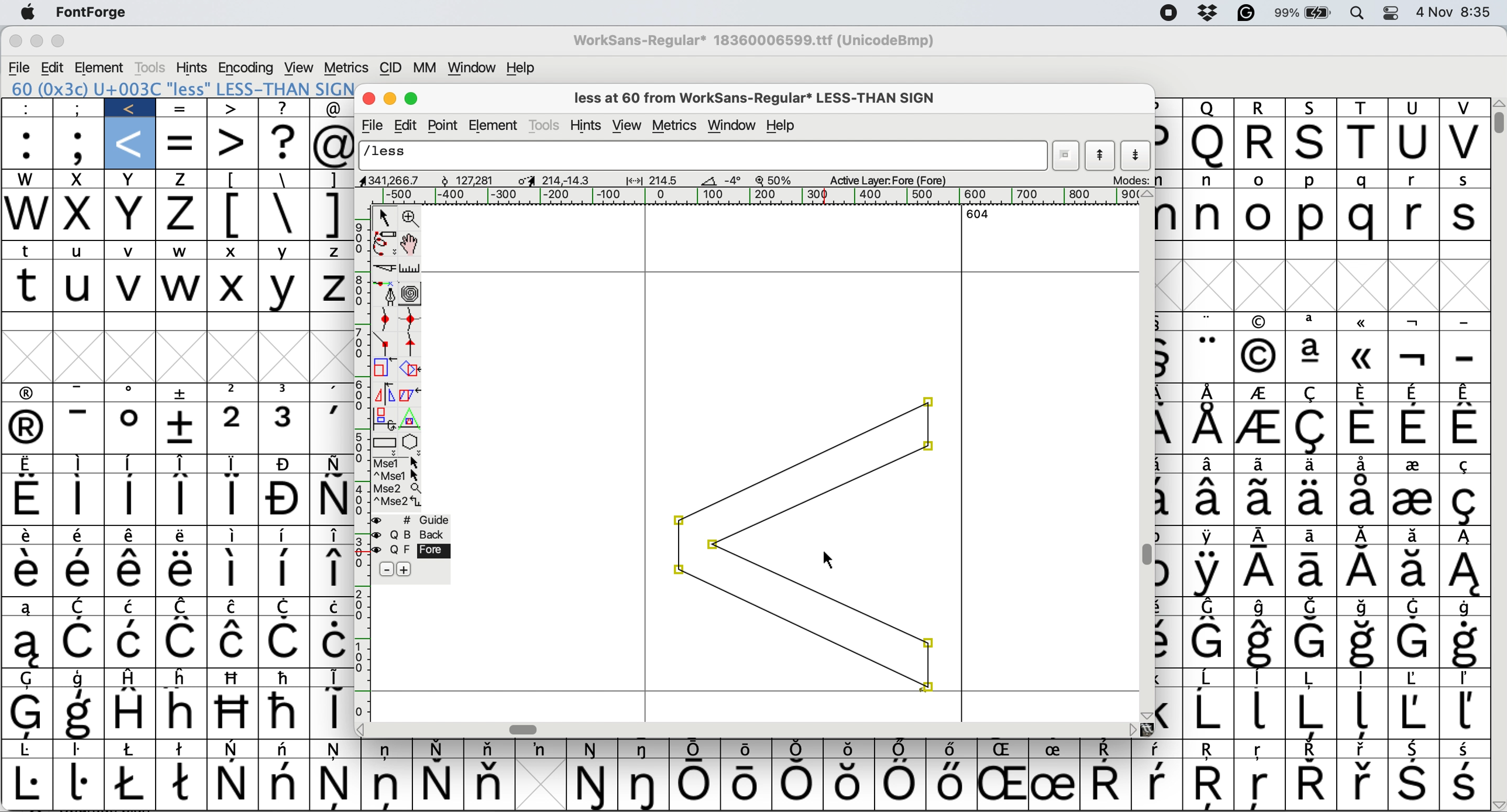 The image size is (1507, 812). What do you see at coordinates (30, 750) in the screenshot?
I see `Symbol` at bounding box center [30, 750].